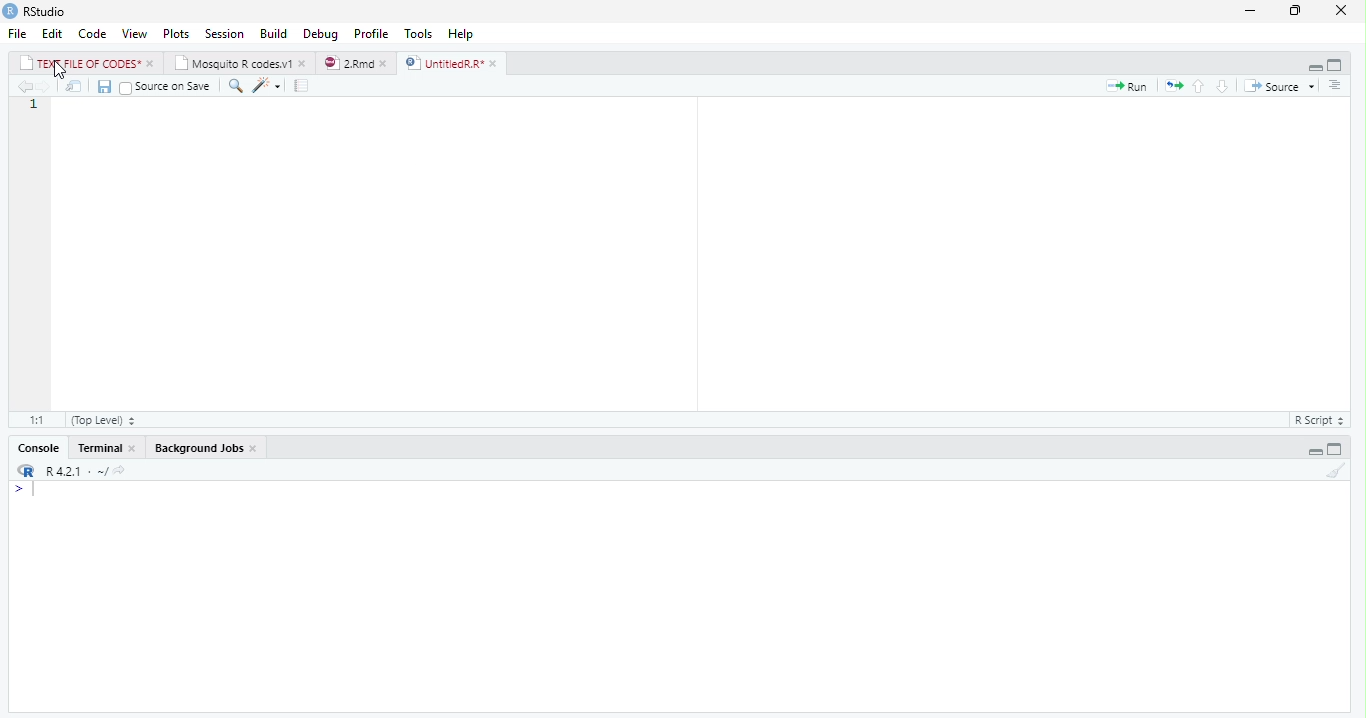 The width and height of the screenshot is (1366, 718). What do you see at coordinates (39, 447) in the screenshot?
I see `Console` at bounding box center [39, 447].